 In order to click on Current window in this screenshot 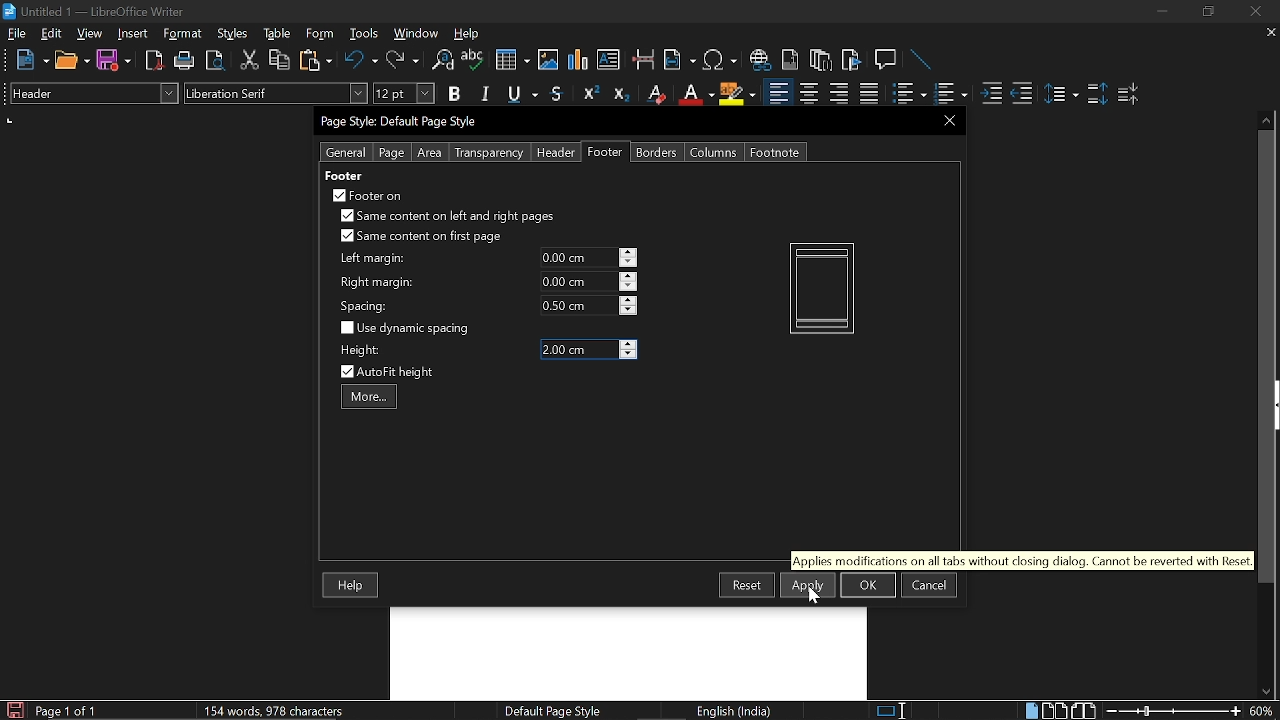, I will do `click(94, 12)`.